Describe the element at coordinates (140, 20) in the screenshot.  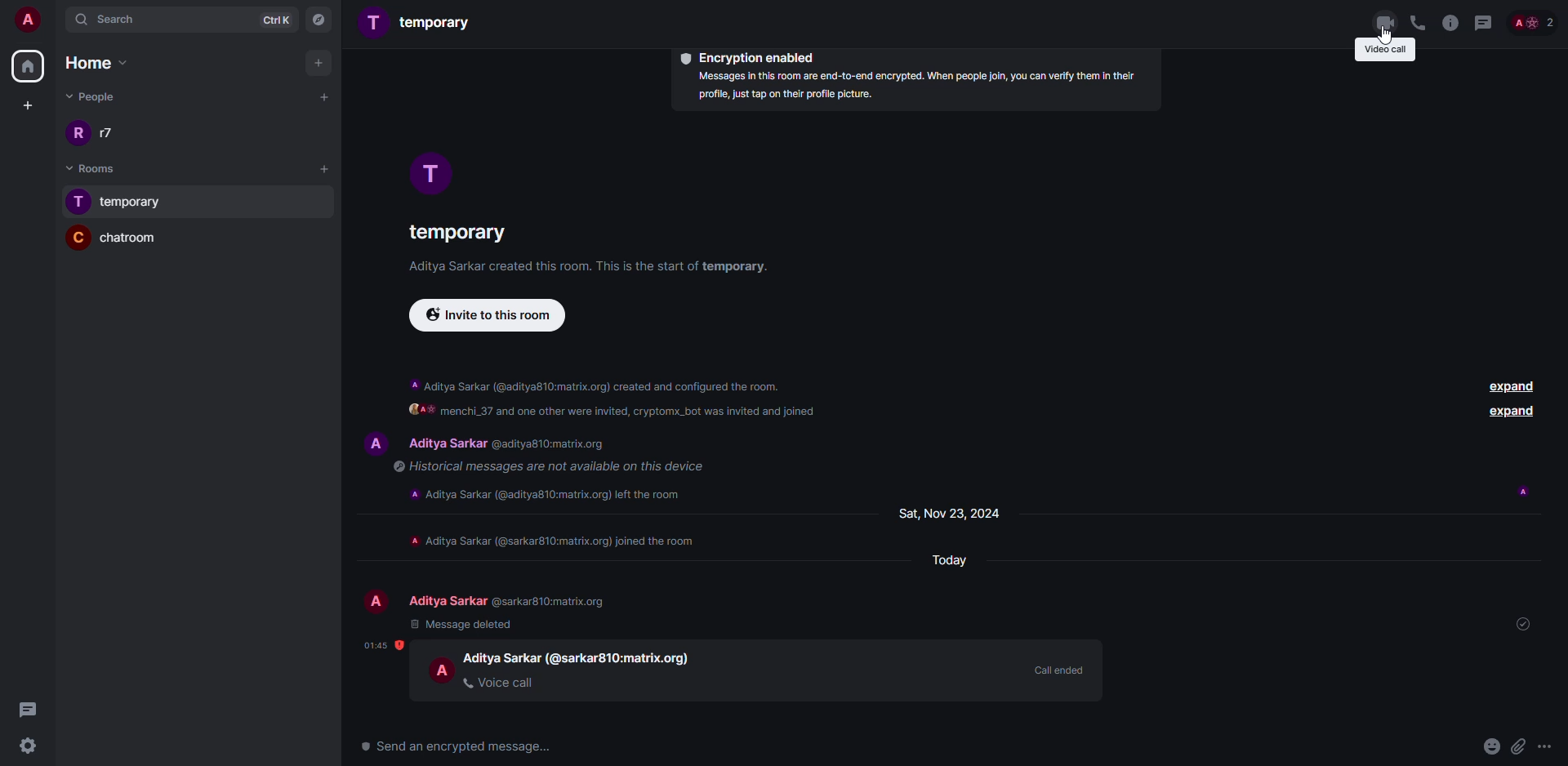
I see `search` at that location.